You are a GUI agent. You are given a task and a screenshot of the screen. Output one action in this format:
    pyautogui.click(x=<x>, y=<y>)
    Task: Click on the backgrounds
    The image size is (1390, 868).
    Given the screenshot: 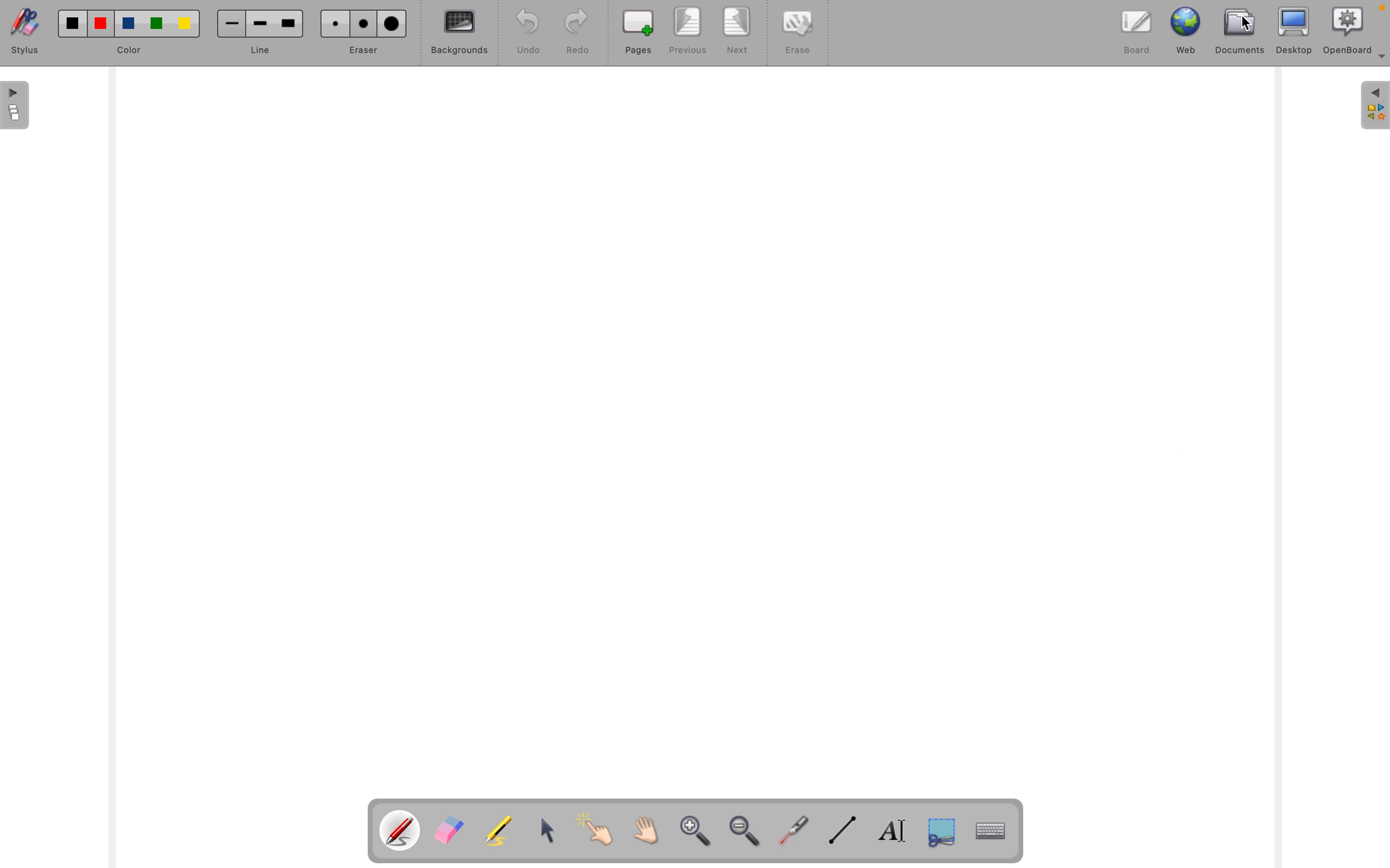 What is the action you would take?
    pyautogui.click(x=460, y=33)
    